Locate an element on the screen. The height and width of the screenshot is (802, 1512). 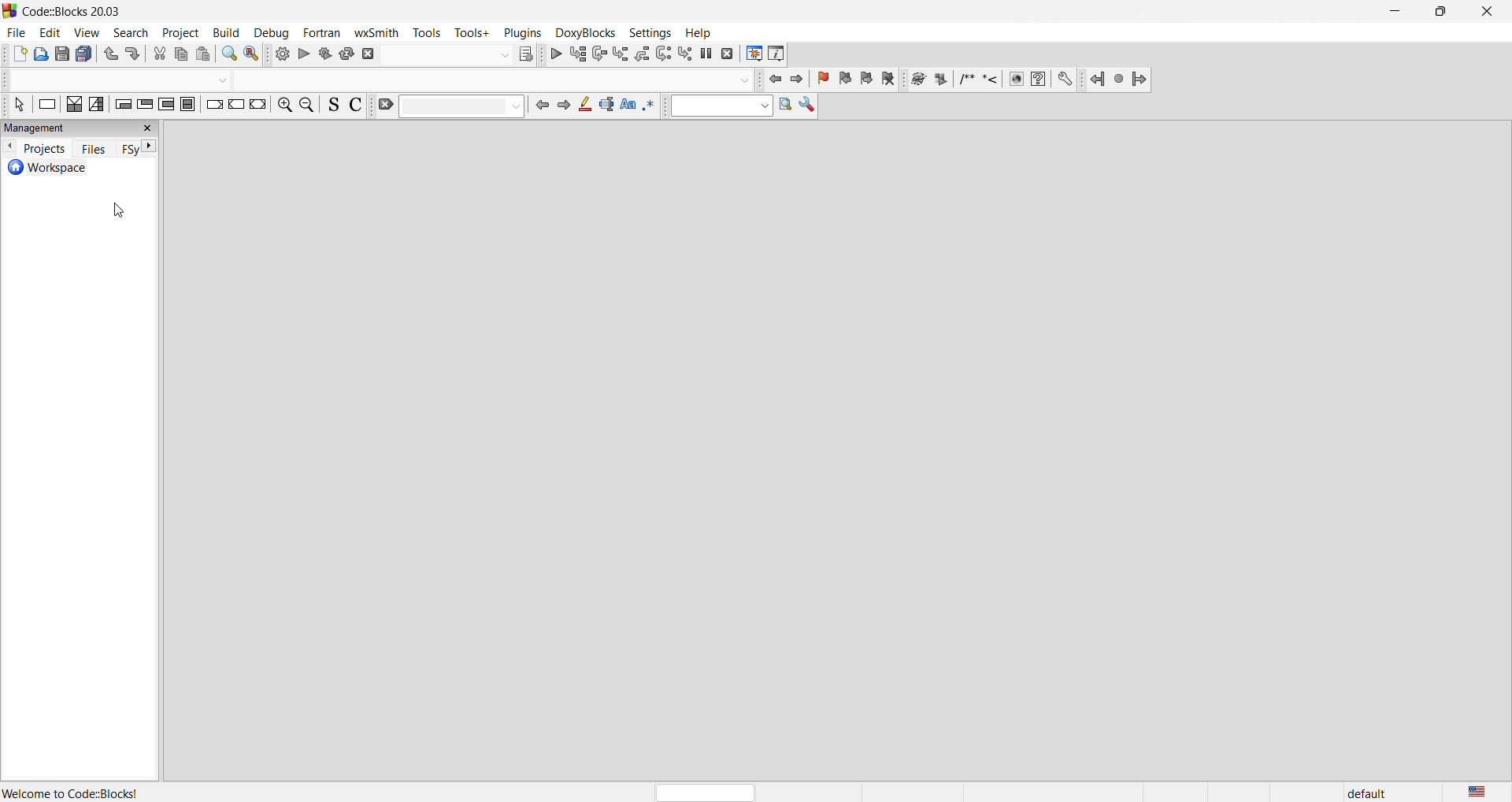
debugging window is located at coordinates (753, 52).